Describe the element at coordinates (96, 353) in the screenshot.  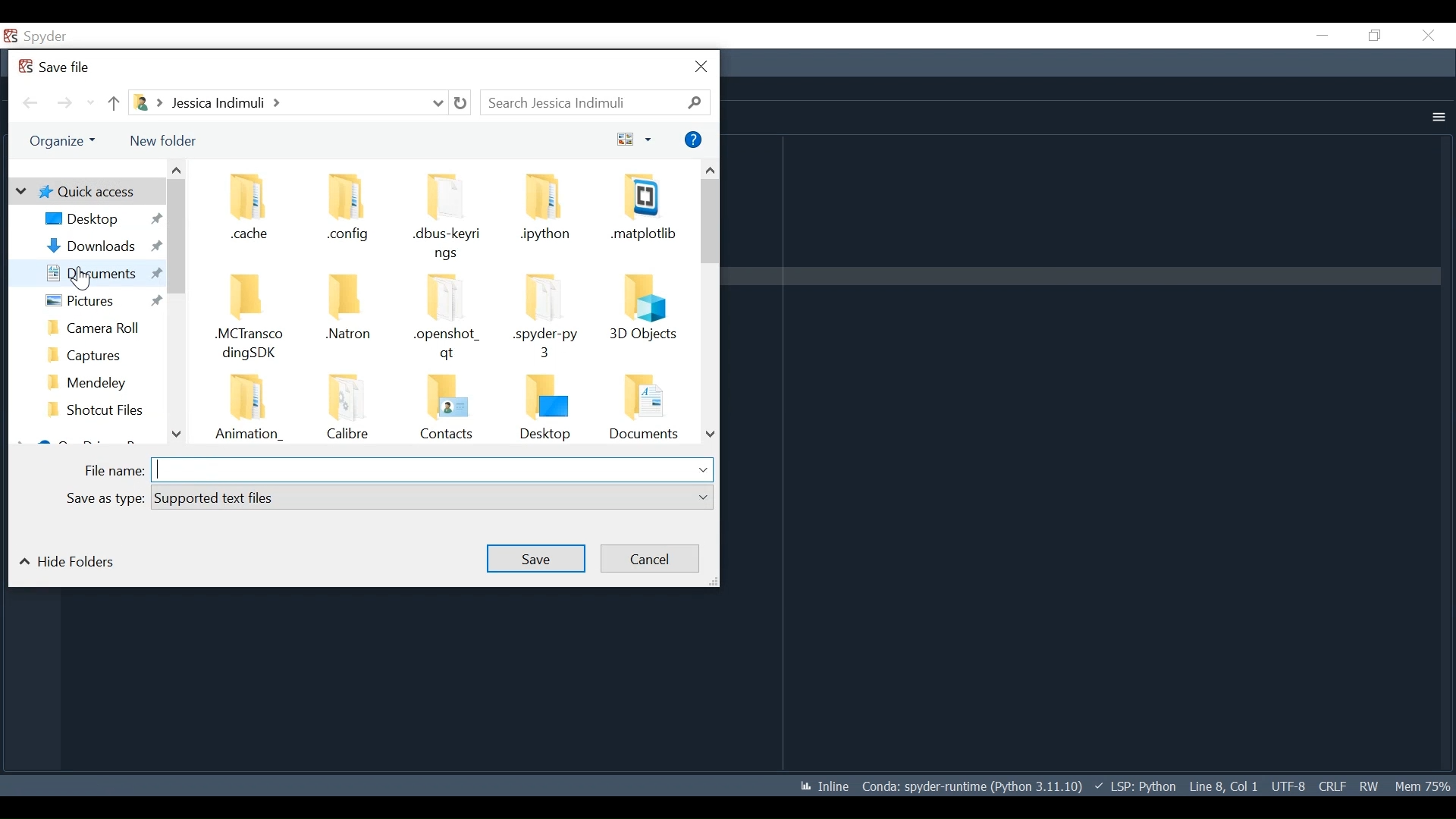
I see `Folder` at that location.